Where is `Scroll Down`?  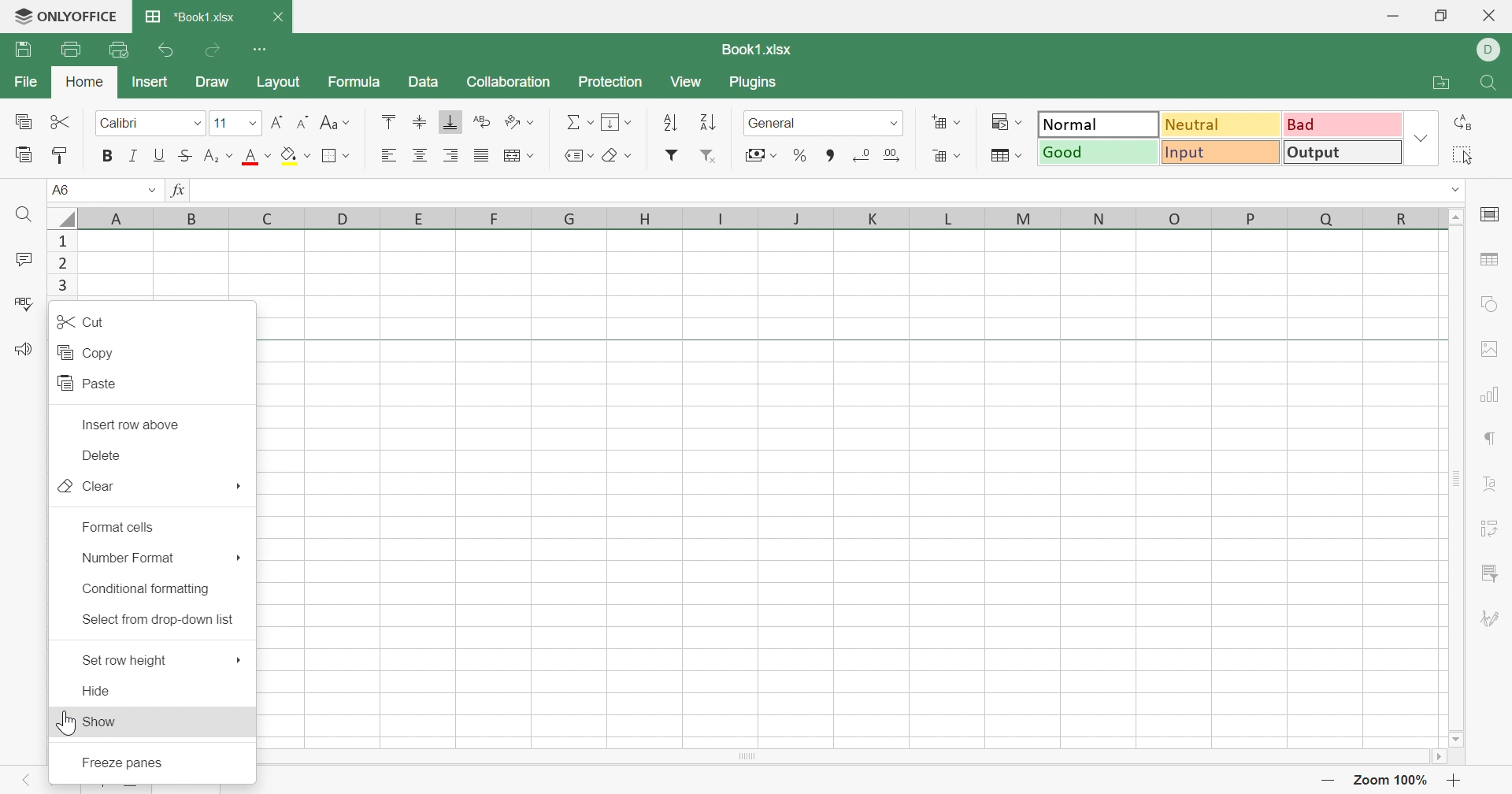
Scroll Down is located at coordinates (1459, 740).